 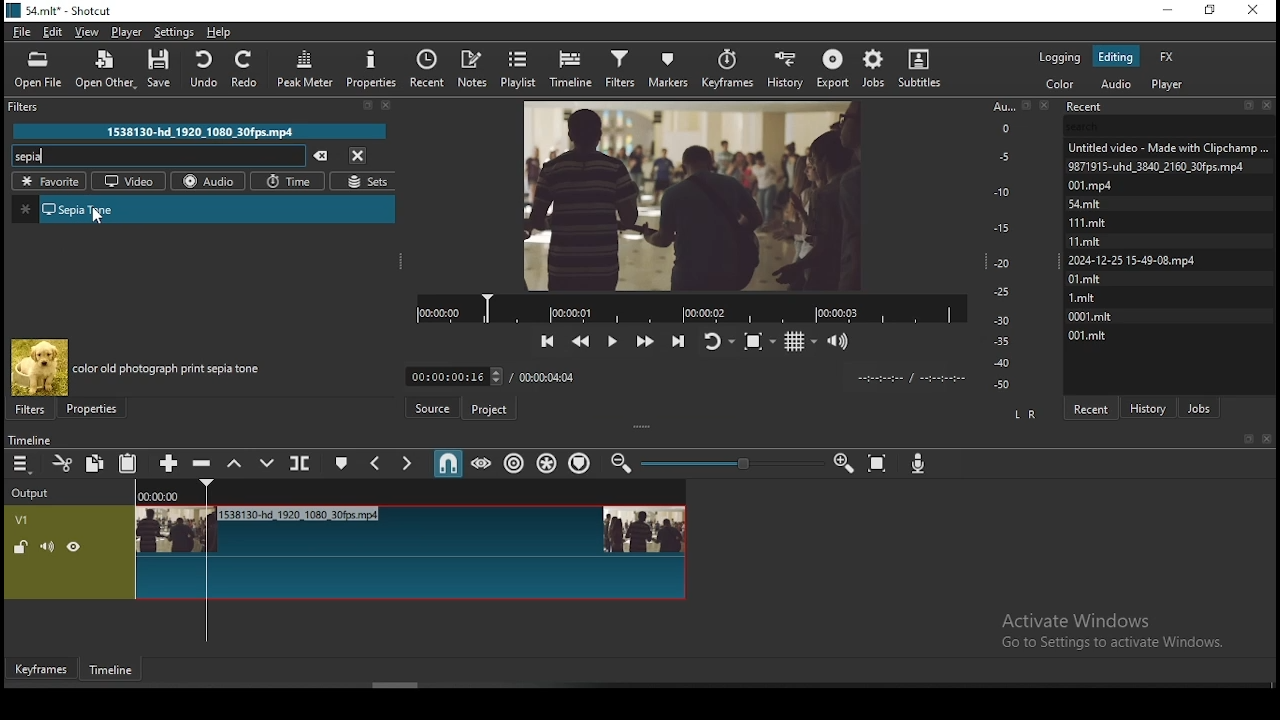 I want to click on edit, so click(x=53, y=31).